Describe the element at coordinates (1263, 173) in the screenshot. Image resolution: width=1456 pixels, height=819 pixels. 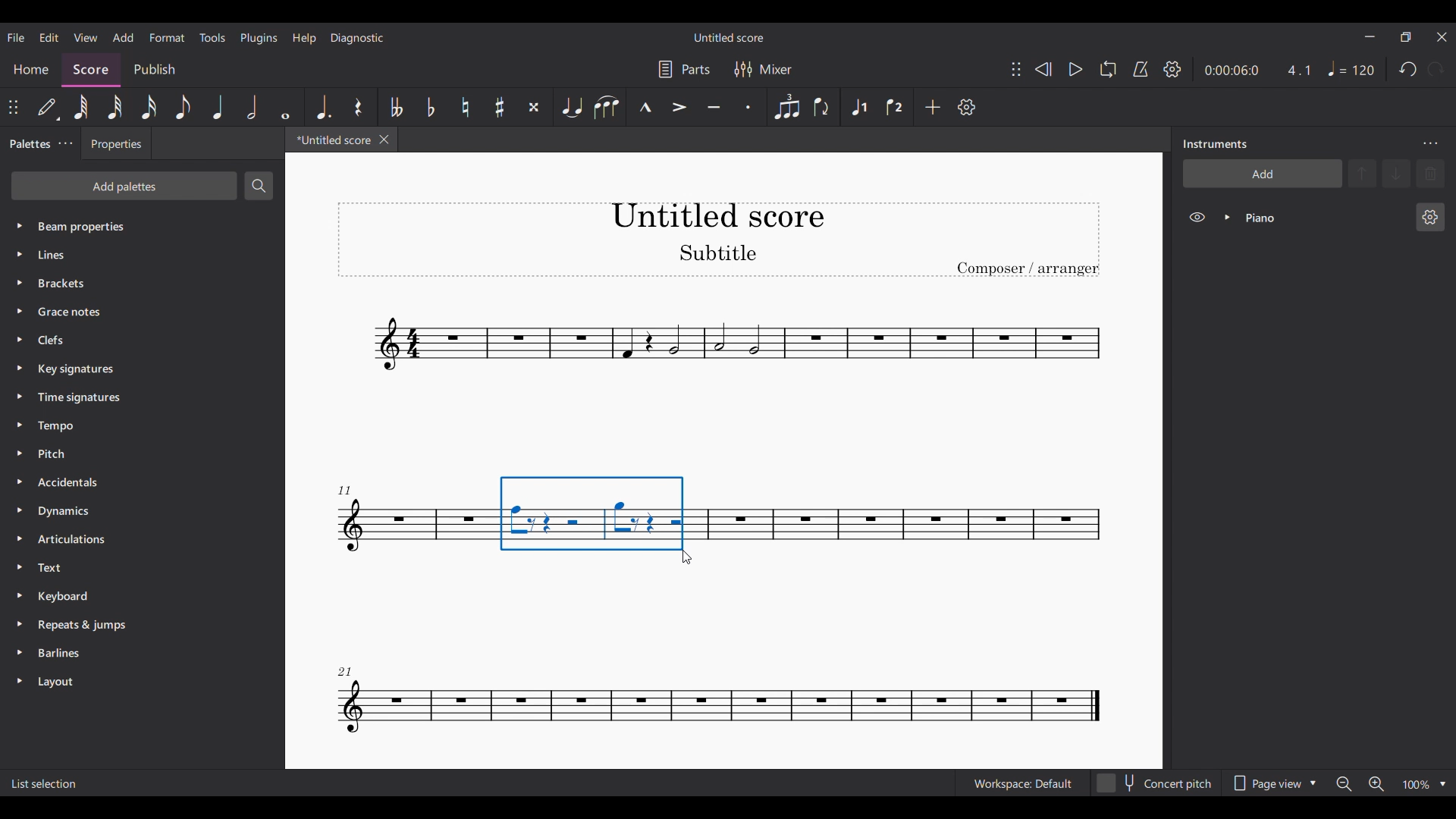
I see `Add instrument` at that location.